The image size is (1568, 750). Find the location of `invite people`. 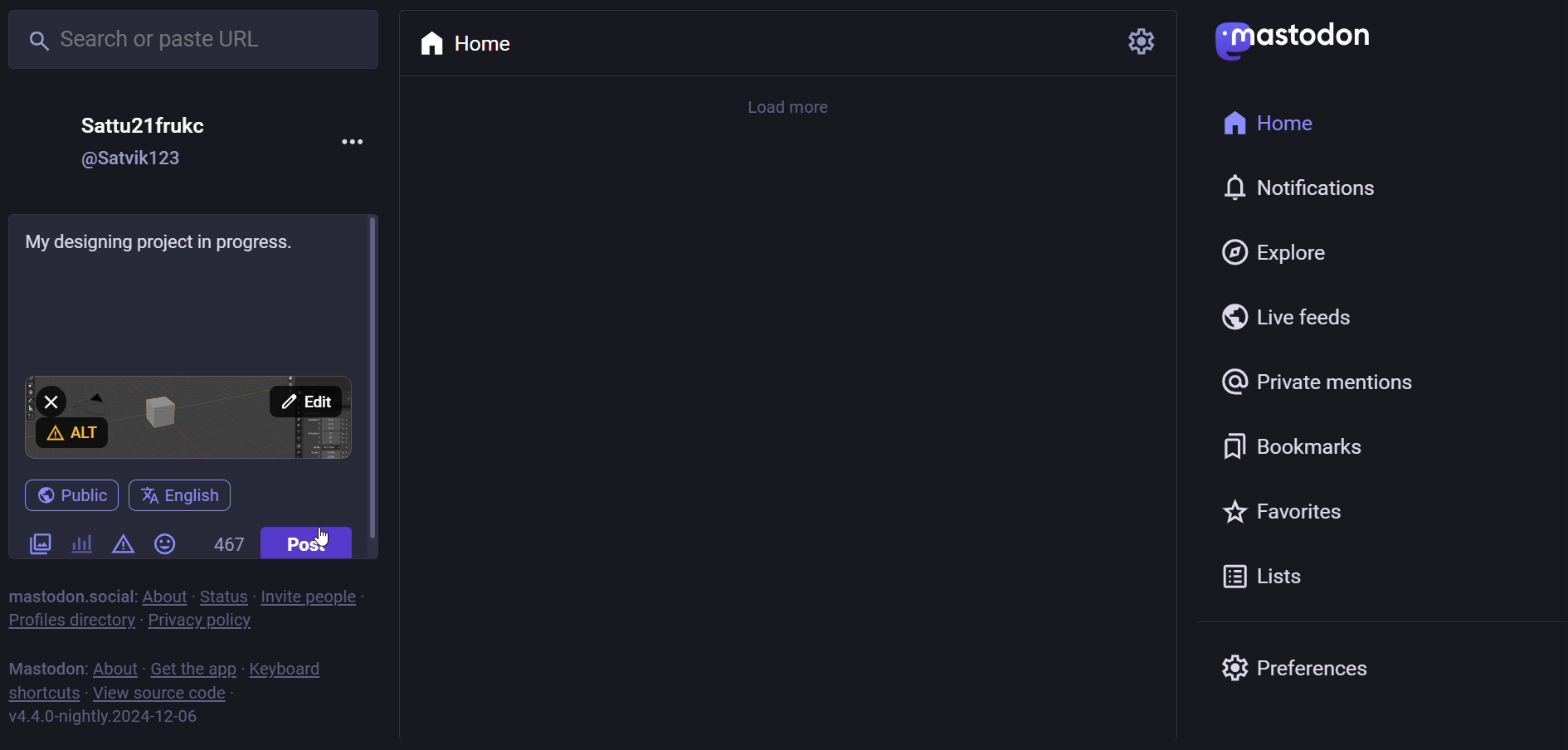

invite people is located at coordinates (312, 595).